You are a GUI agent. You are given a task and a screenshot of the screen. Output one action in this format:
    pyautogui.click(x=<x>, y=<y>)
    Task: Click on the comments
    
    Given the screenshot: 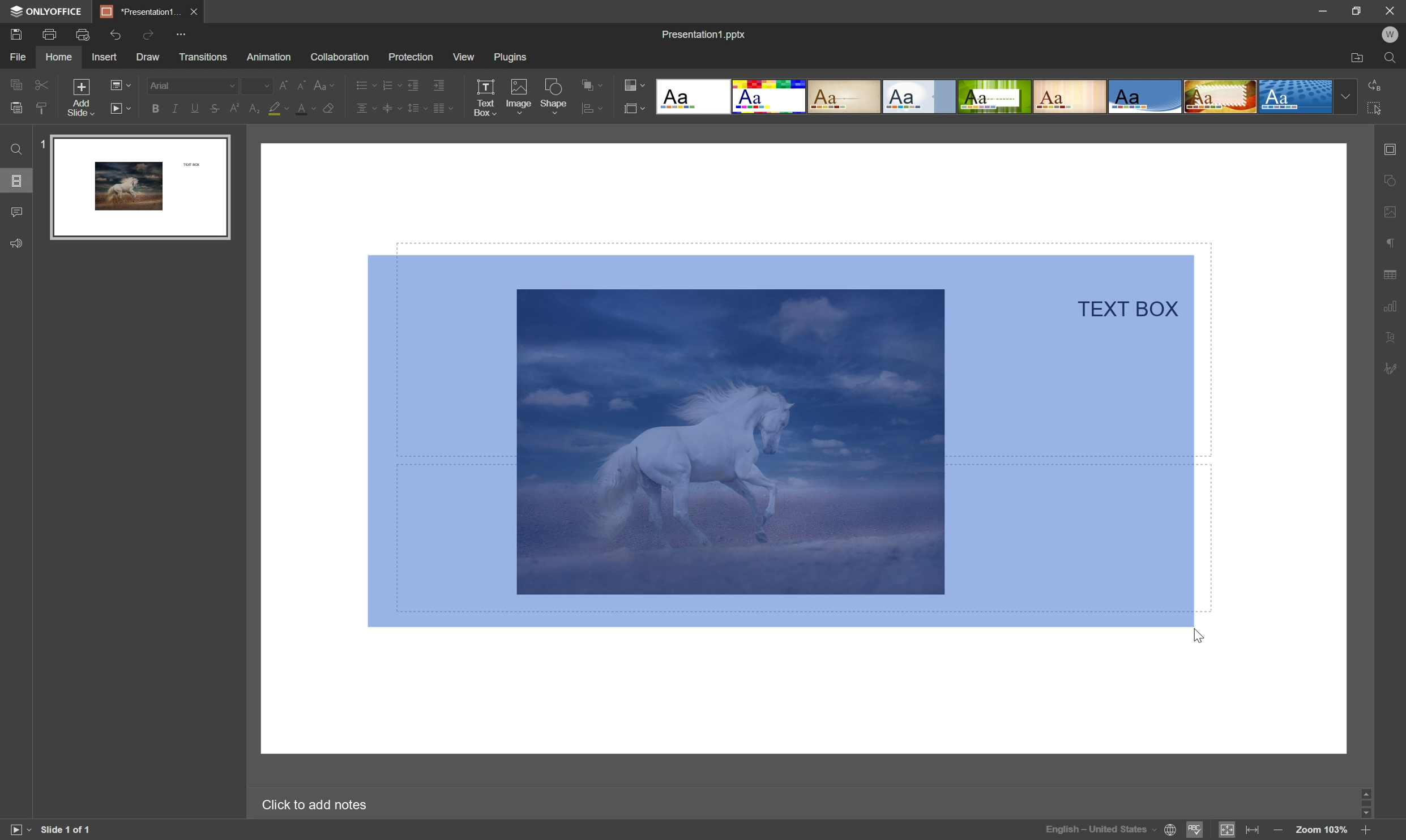 What is the action you would take?
    pyautogui.click(x=19, y=211)
    